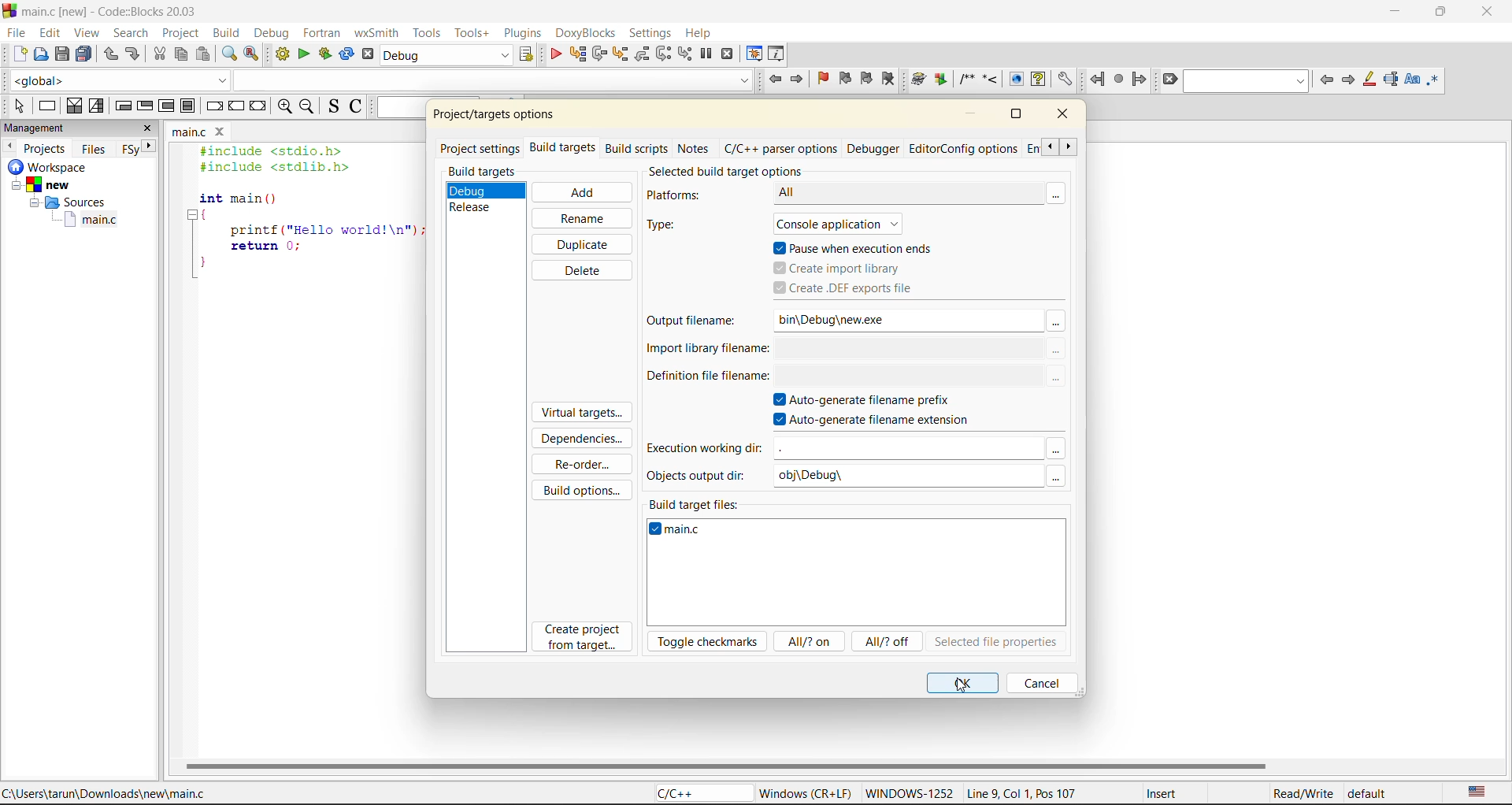 Image resolution: width=1512 pixels, height=805 pixels. Describe the element at coordinates (875, 148) in the screenshot. I see `debugger` at that location.